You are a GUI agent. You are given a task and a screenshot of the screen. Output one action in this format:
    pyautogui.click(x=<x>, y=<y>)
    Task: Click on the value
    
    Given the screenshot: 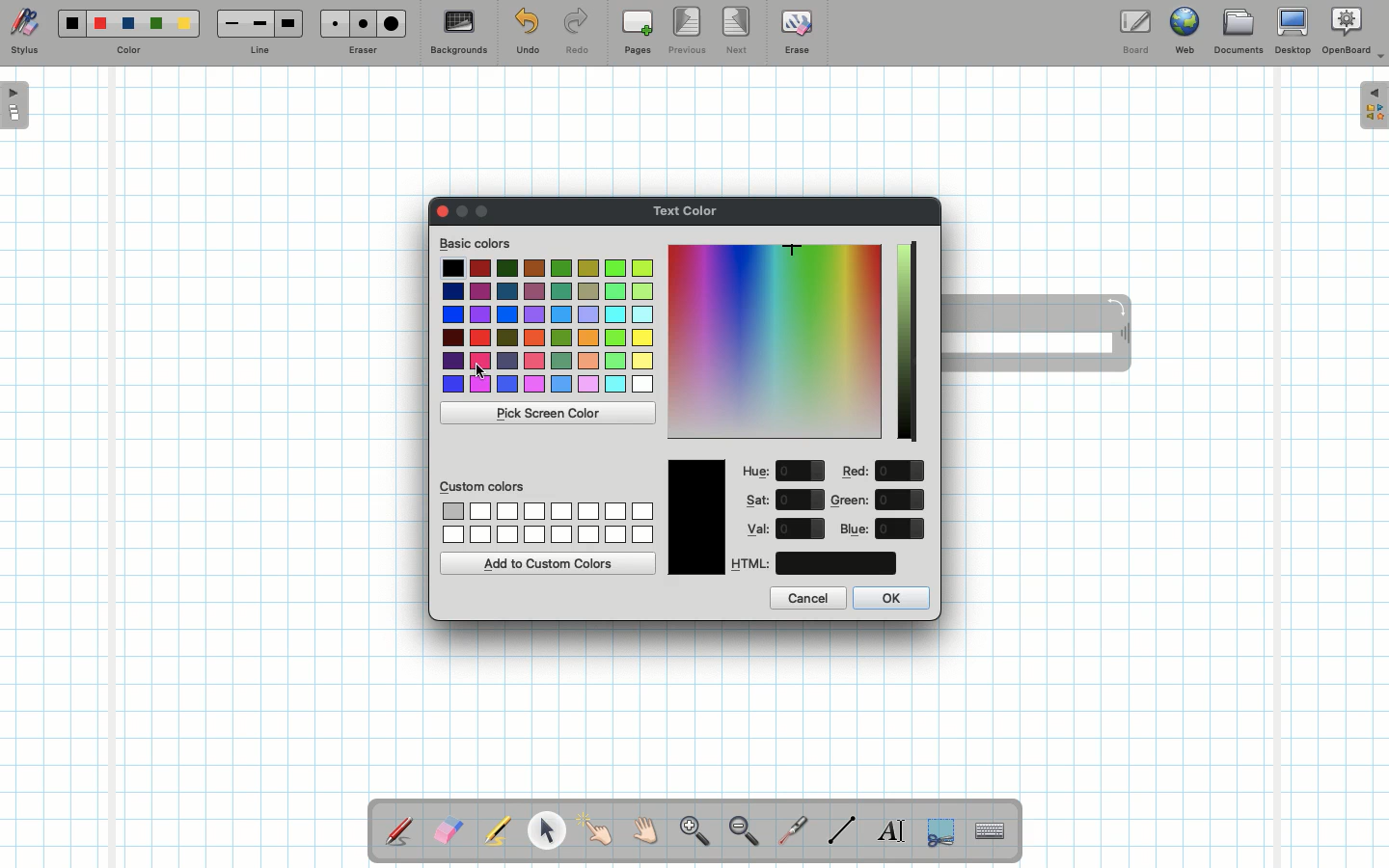 What is the action you would take?
    pyautogui.click(x=900, y=529)
    